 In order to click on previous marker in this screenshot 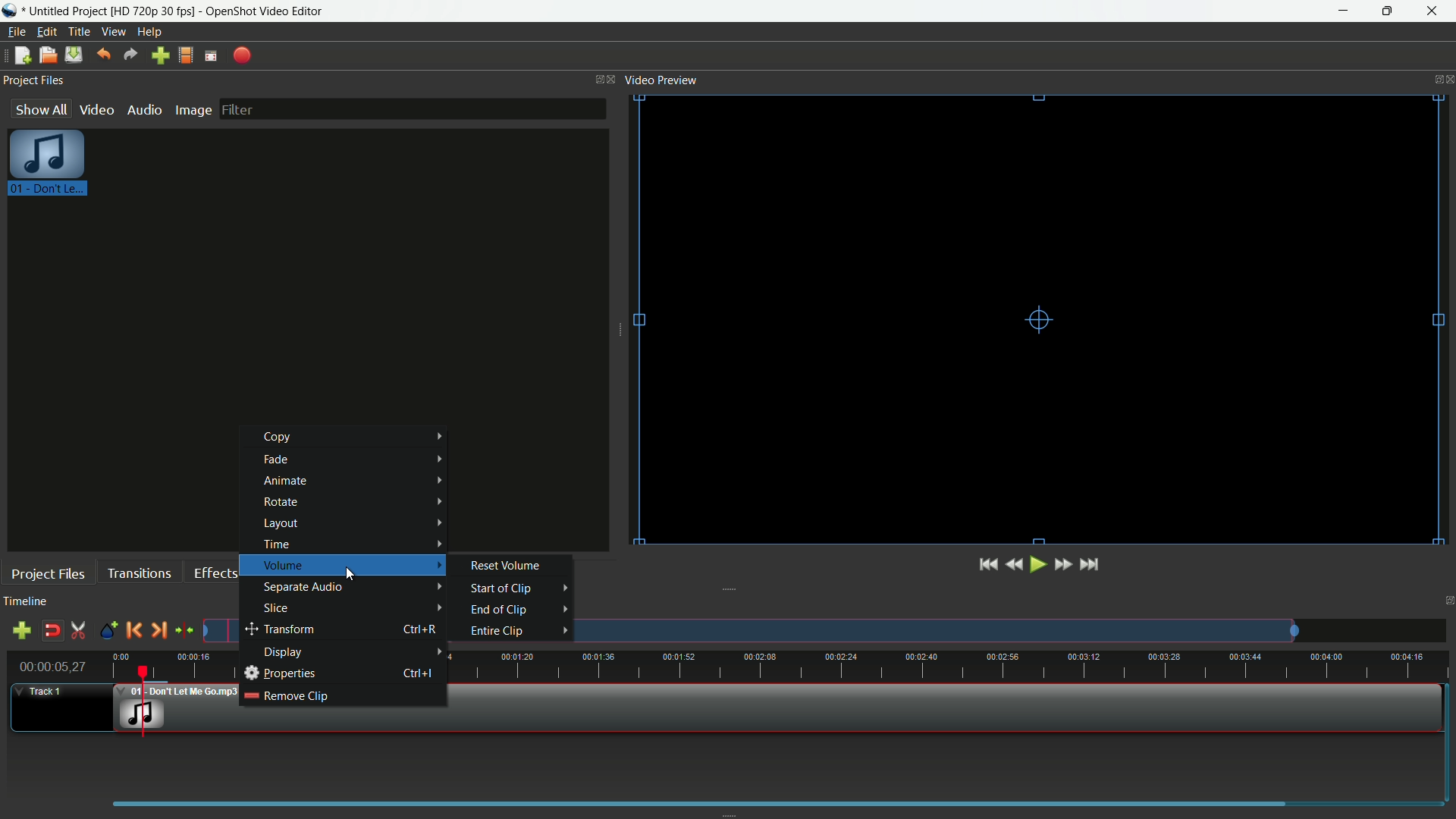, I will do `click(135, 630)`.